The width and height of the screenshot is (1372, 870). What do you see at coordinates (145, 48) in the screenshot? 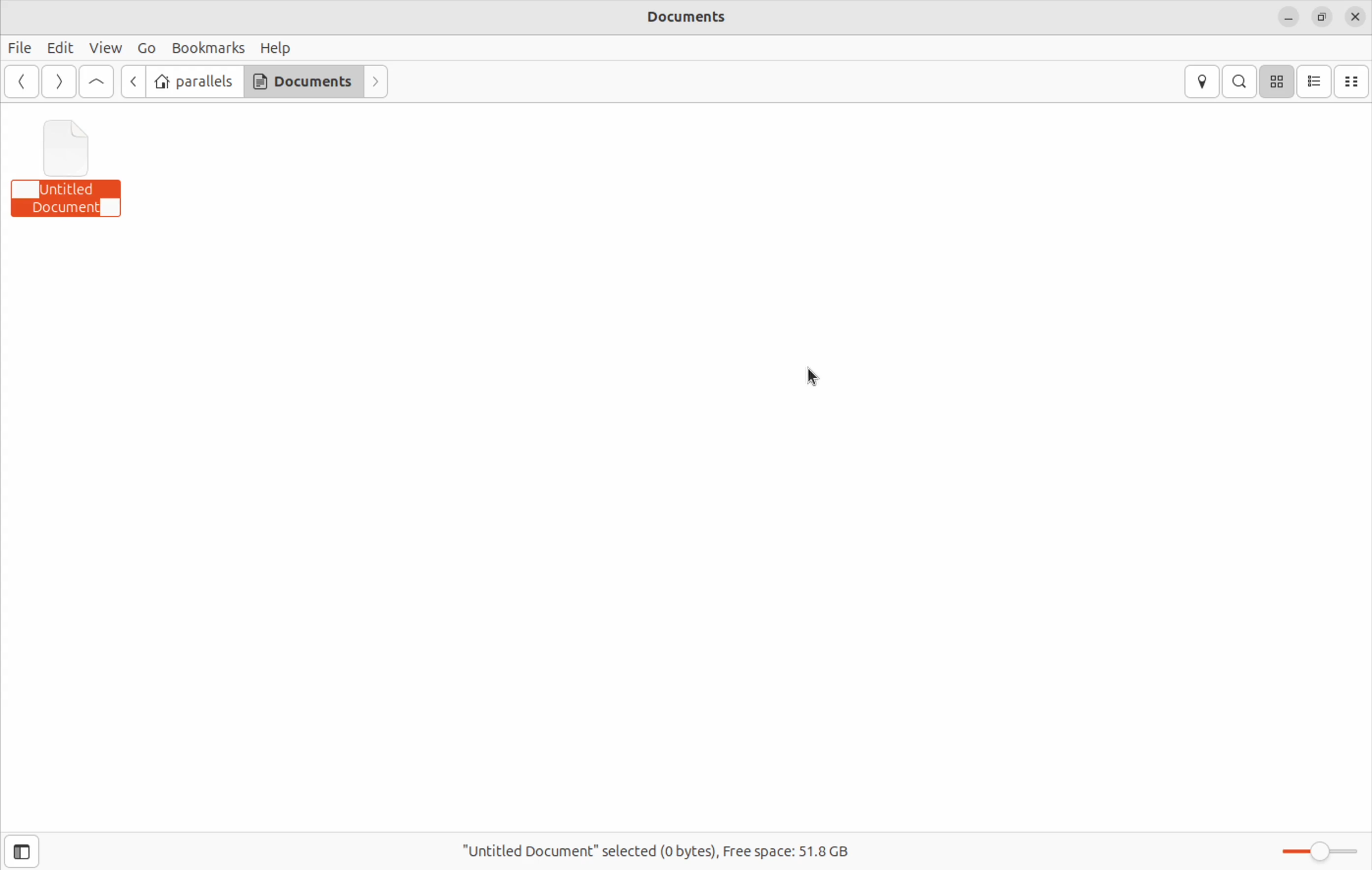
I see `Go` at bounding box center [145, 48].